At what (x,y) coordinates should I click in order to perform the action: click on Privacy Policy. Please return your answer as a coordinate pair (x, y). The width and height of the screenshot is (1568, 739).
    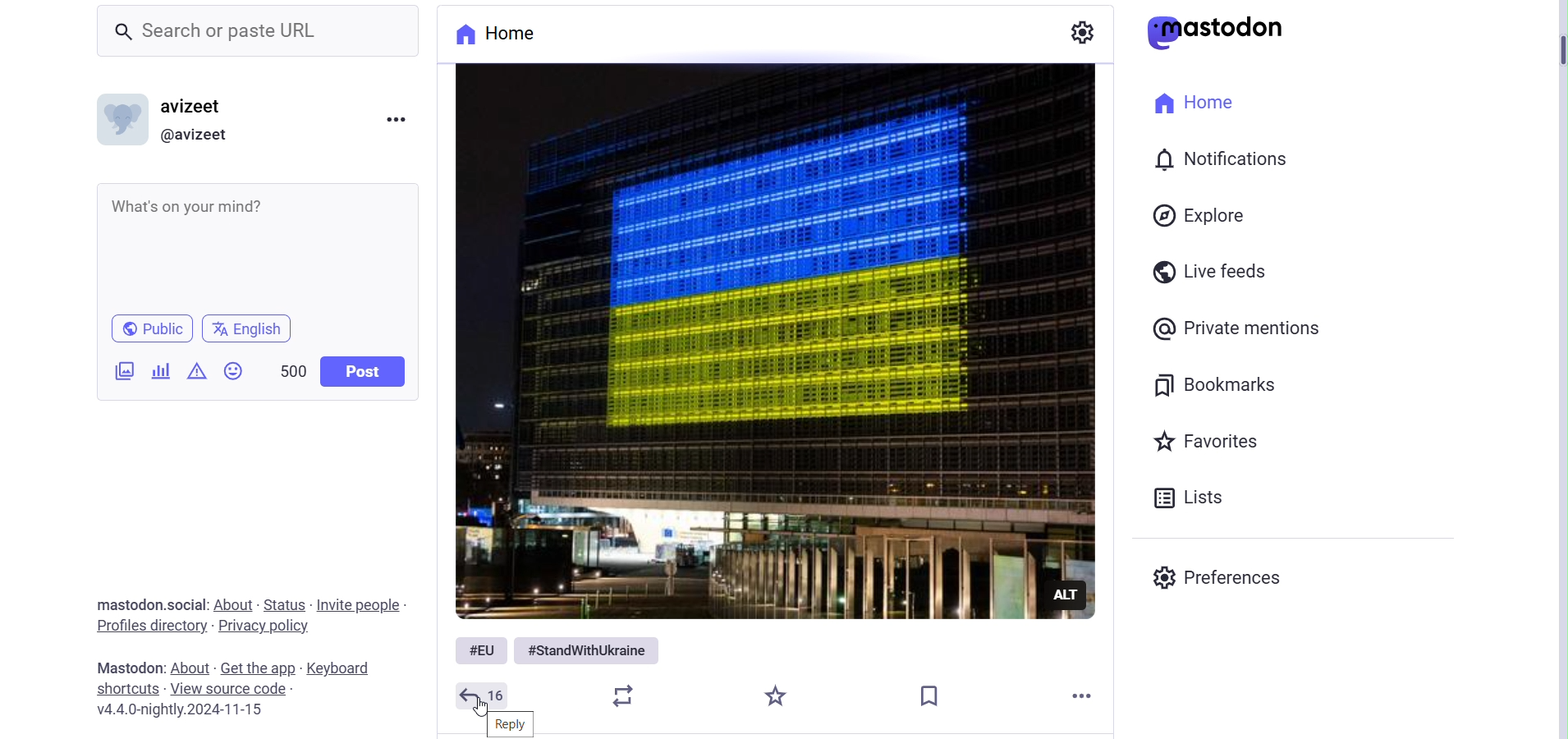
    Looking at the image, I should click on (264, 627).